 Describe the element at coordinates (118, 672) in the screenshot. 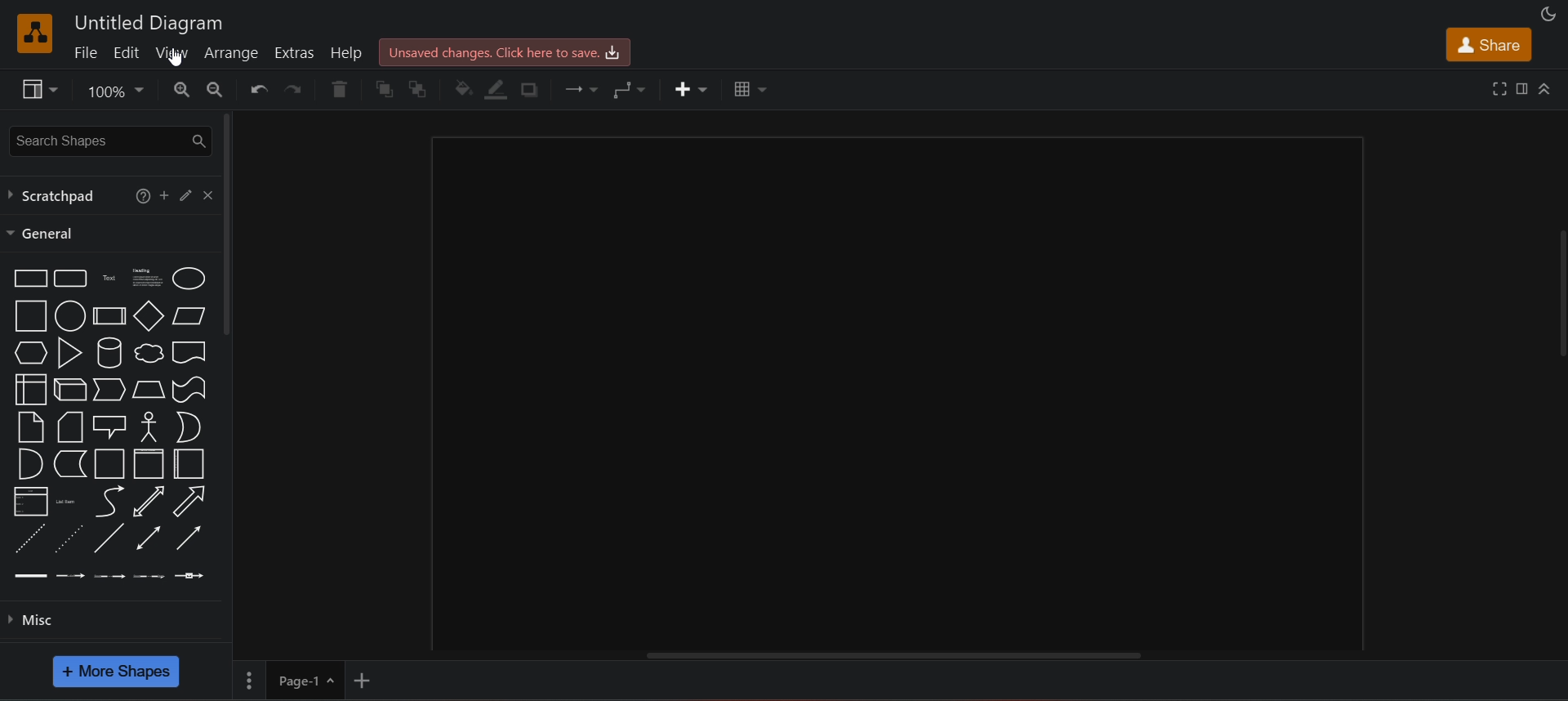

I see `more shapes` at that location.